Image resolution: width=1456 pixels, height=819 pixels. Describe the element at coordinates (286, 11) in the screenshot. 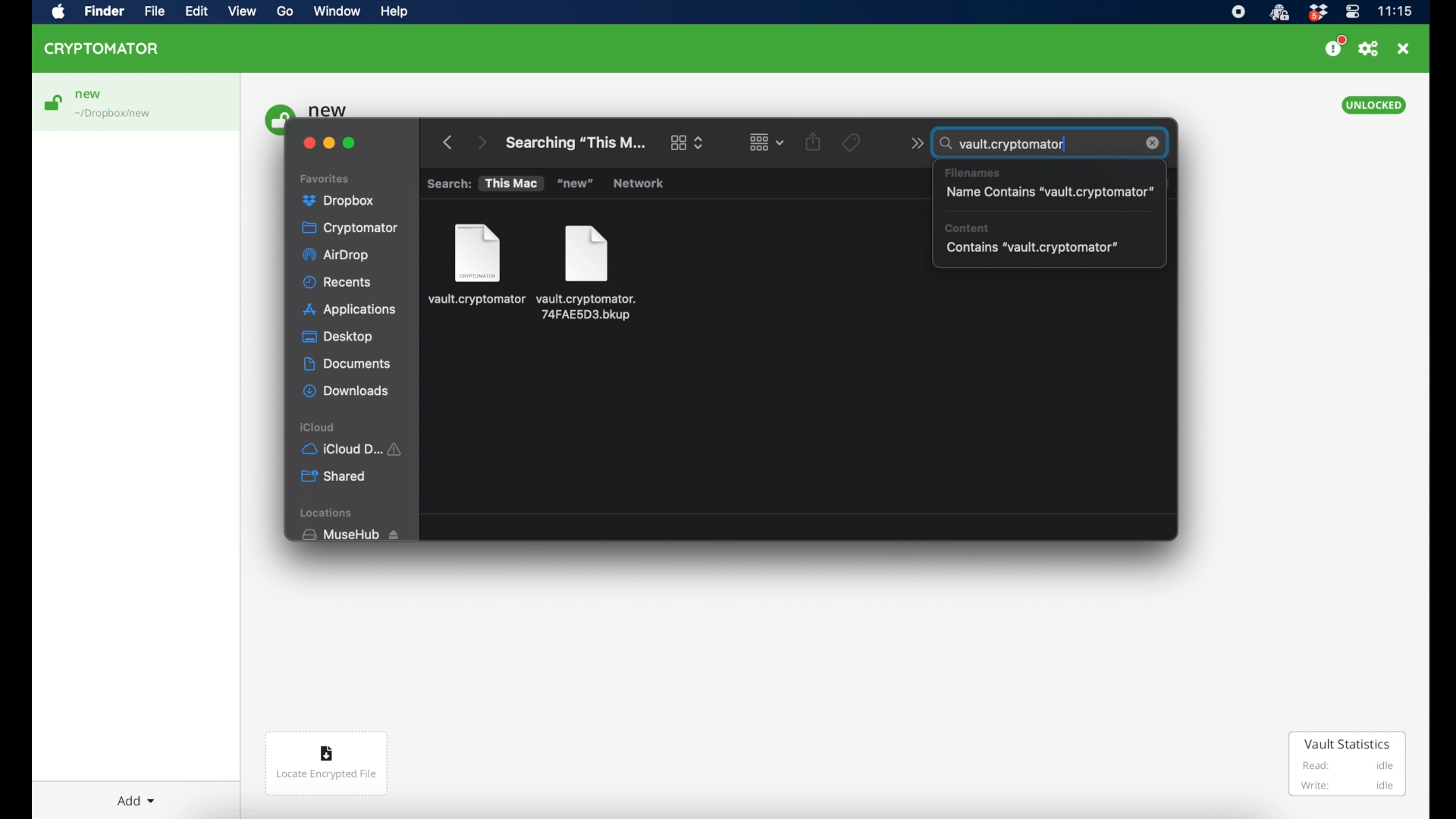

I see `go` at that location.